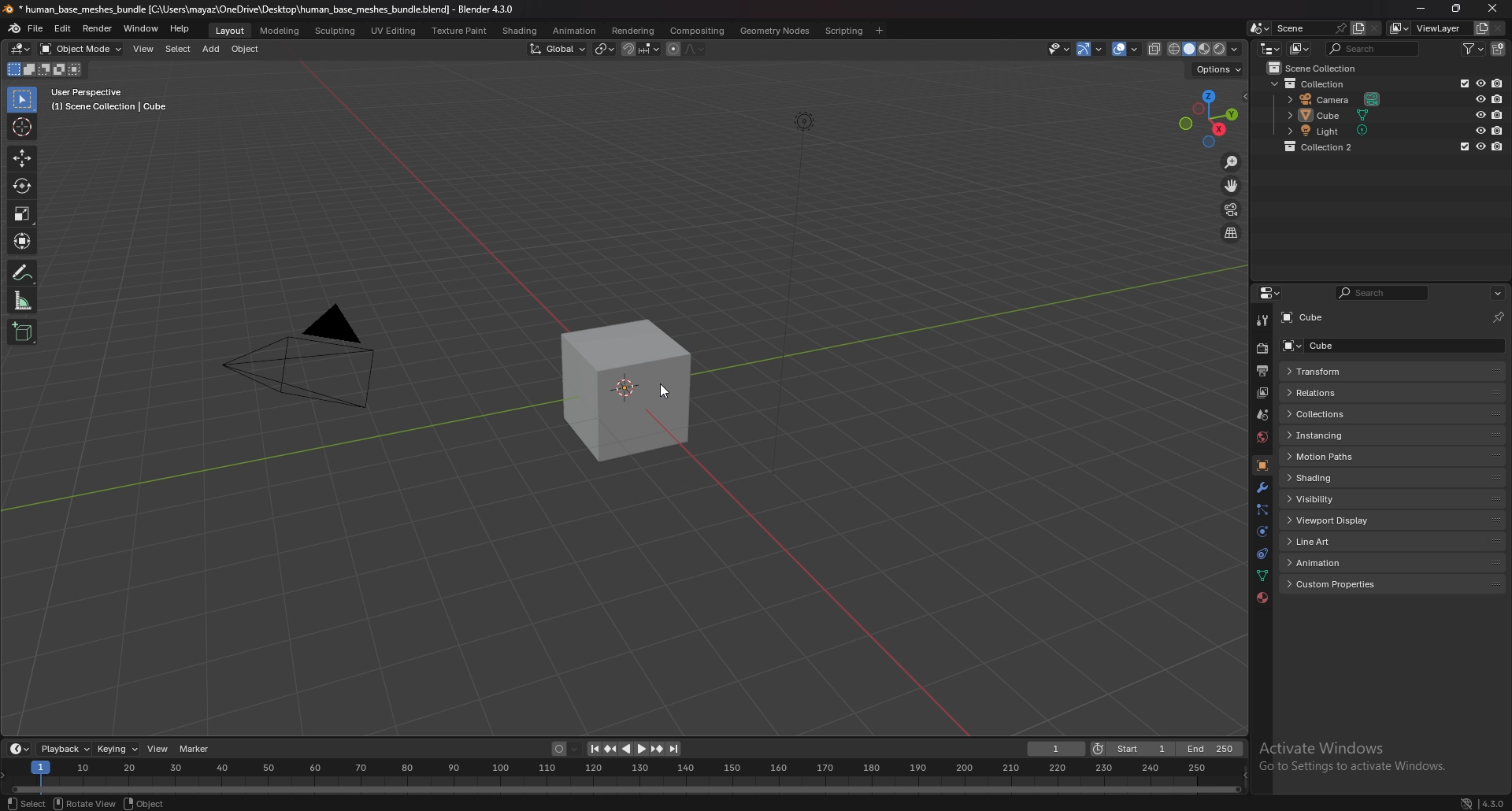 Image resolution: width=1512 pixels, height=811 pixels. Describe the element at coordinates (1493, 801) in the screenshot. I see `version` at that location.